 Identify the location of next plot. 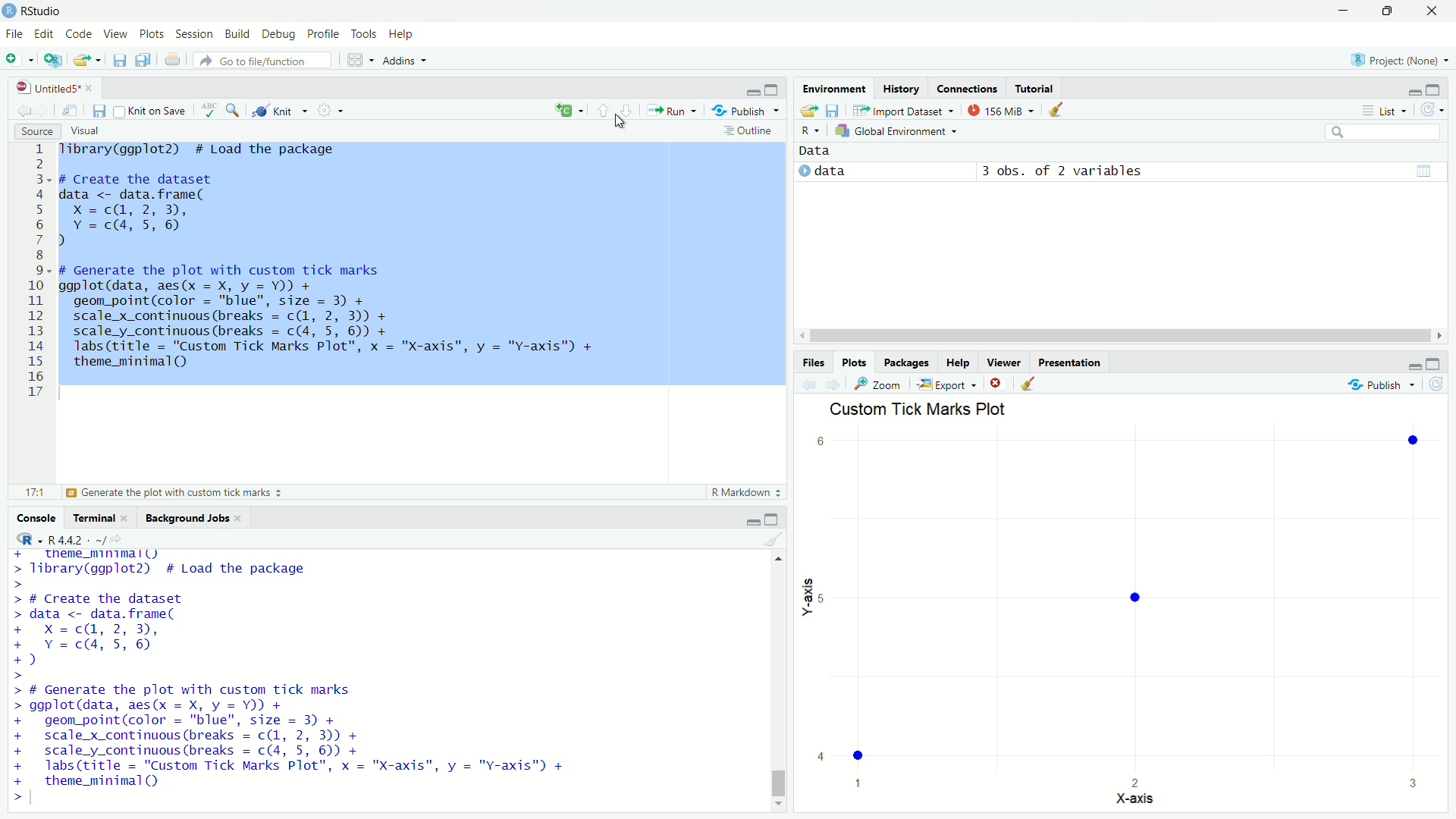
(834, 383).